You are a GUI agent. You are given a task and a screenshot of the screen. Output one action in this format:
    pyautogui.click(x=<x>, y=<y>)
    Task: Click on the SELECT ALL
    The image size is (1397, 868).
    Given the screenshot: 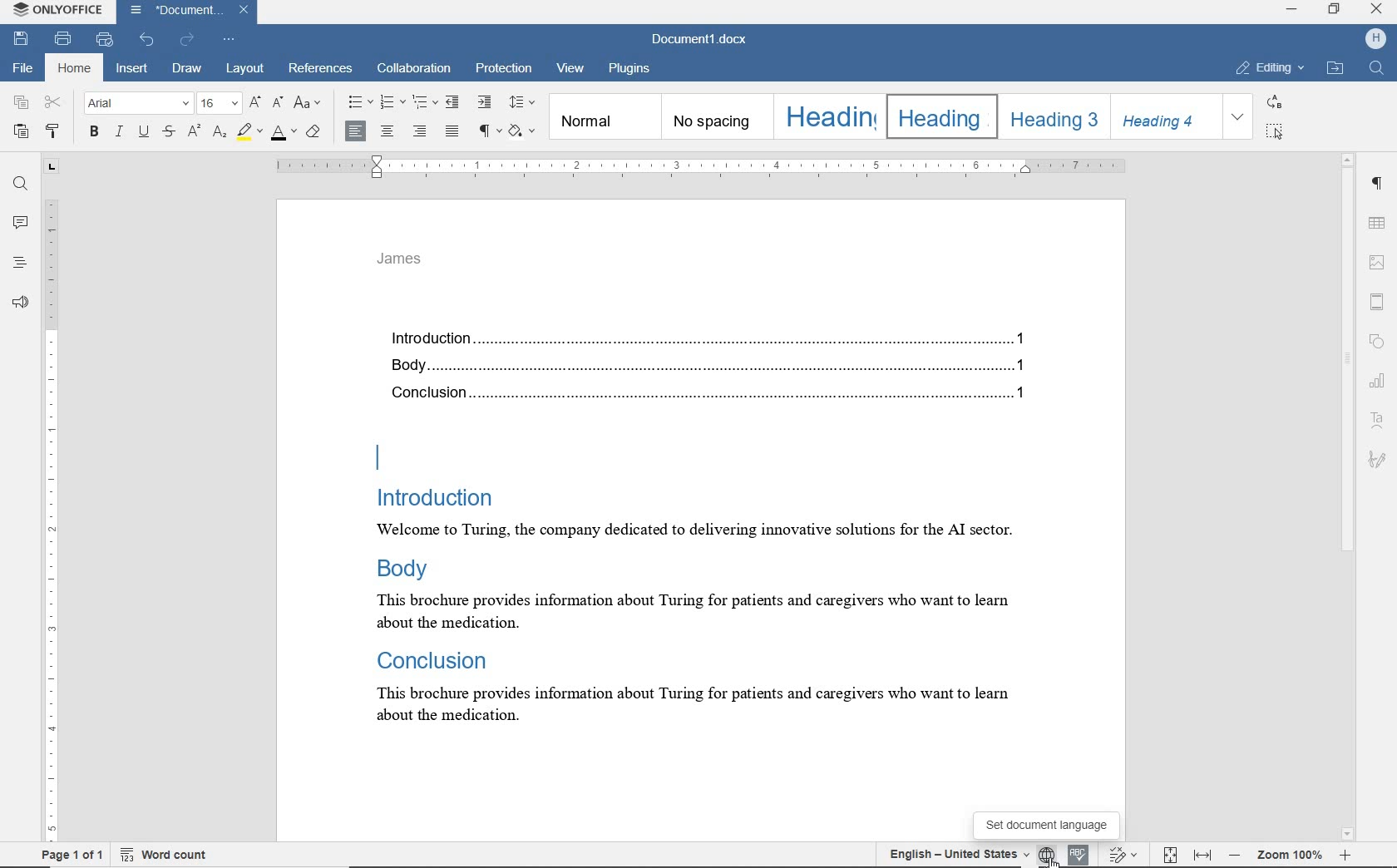 What is the action you would take?
    pyautogui.click(x=1276, y=131)
    